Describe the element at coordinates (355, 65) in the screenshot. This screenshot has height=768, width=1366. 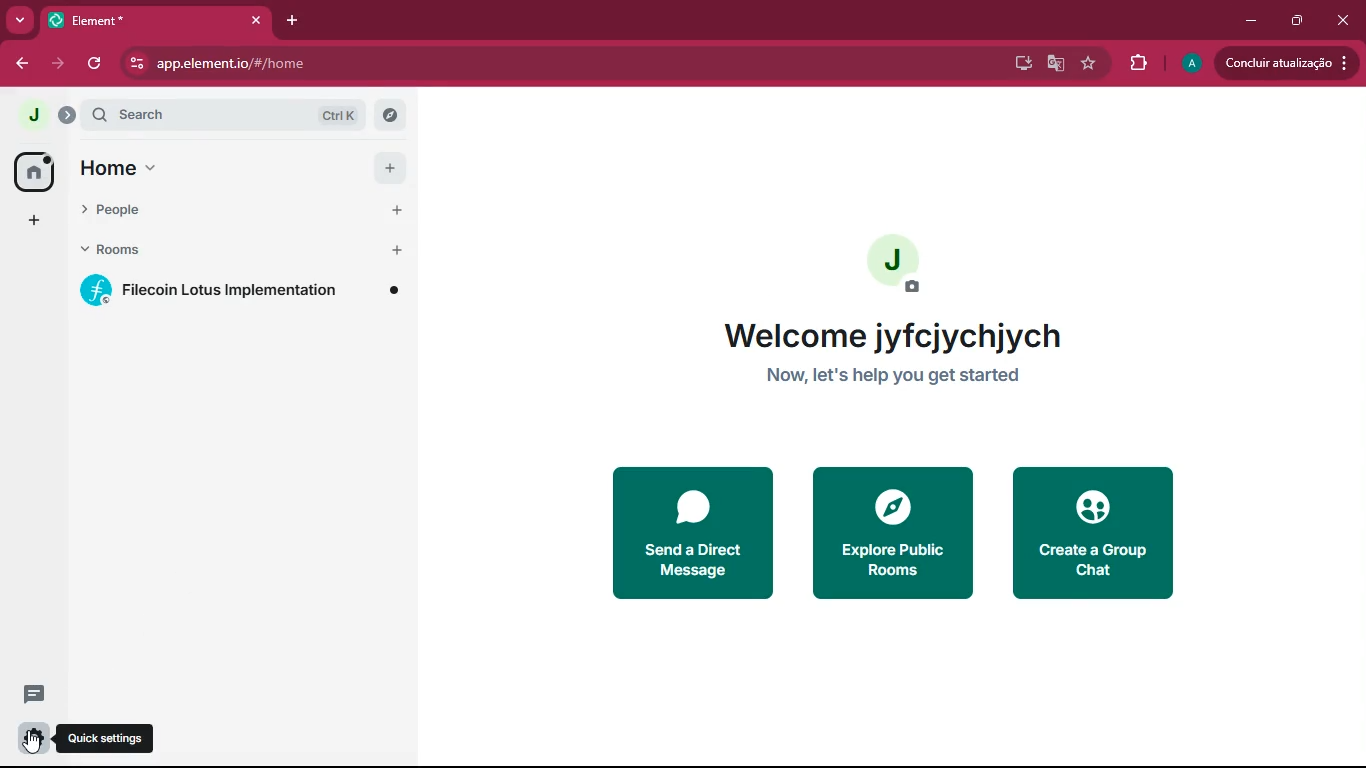
I see `app.element.io/#/home` at that location.